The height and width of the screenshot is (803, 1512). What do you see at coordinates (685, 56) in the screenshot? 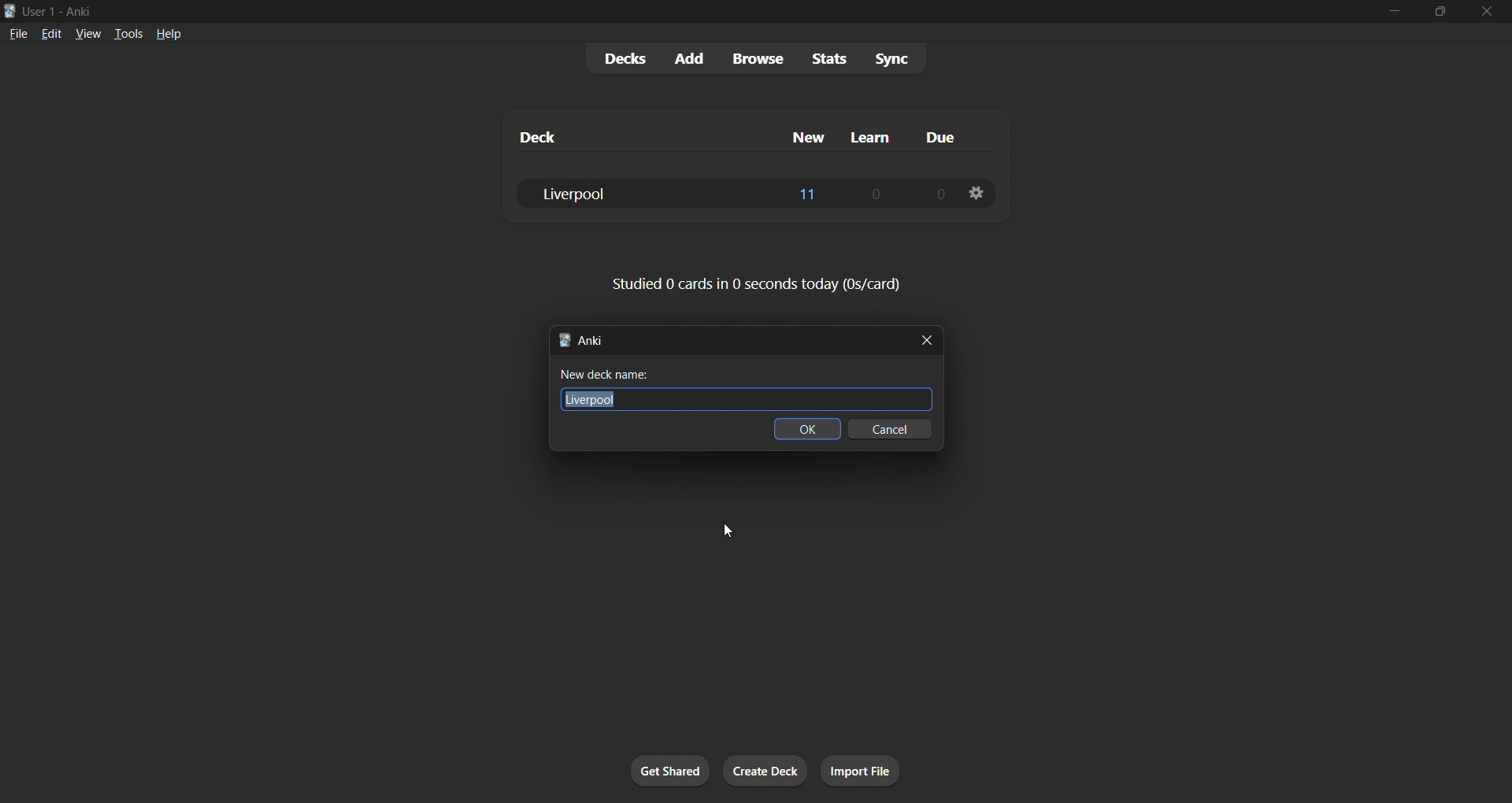
I see `add` at bounding box center [685, 56].